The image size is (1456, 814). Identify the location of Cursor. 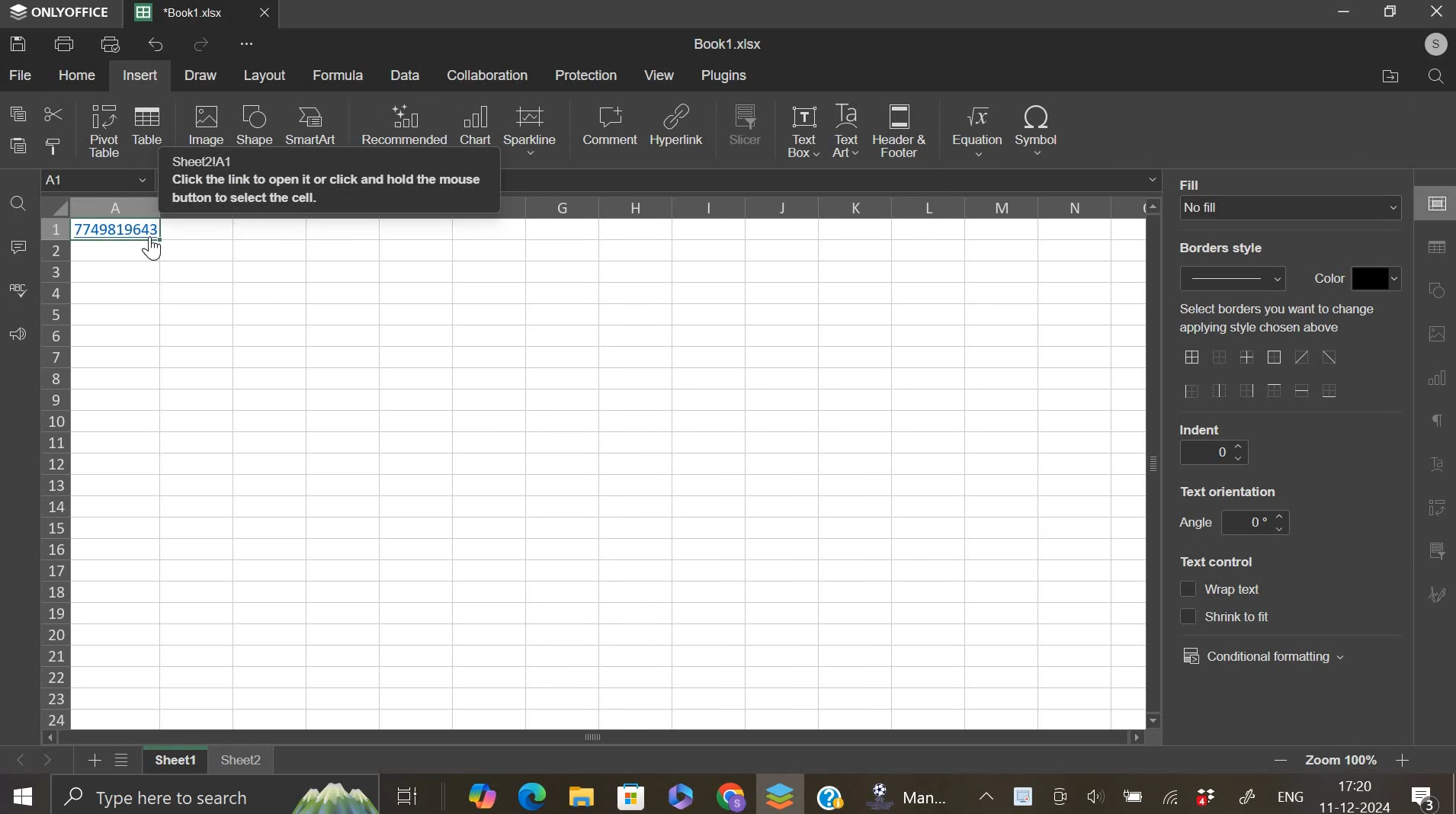
(157, 250).